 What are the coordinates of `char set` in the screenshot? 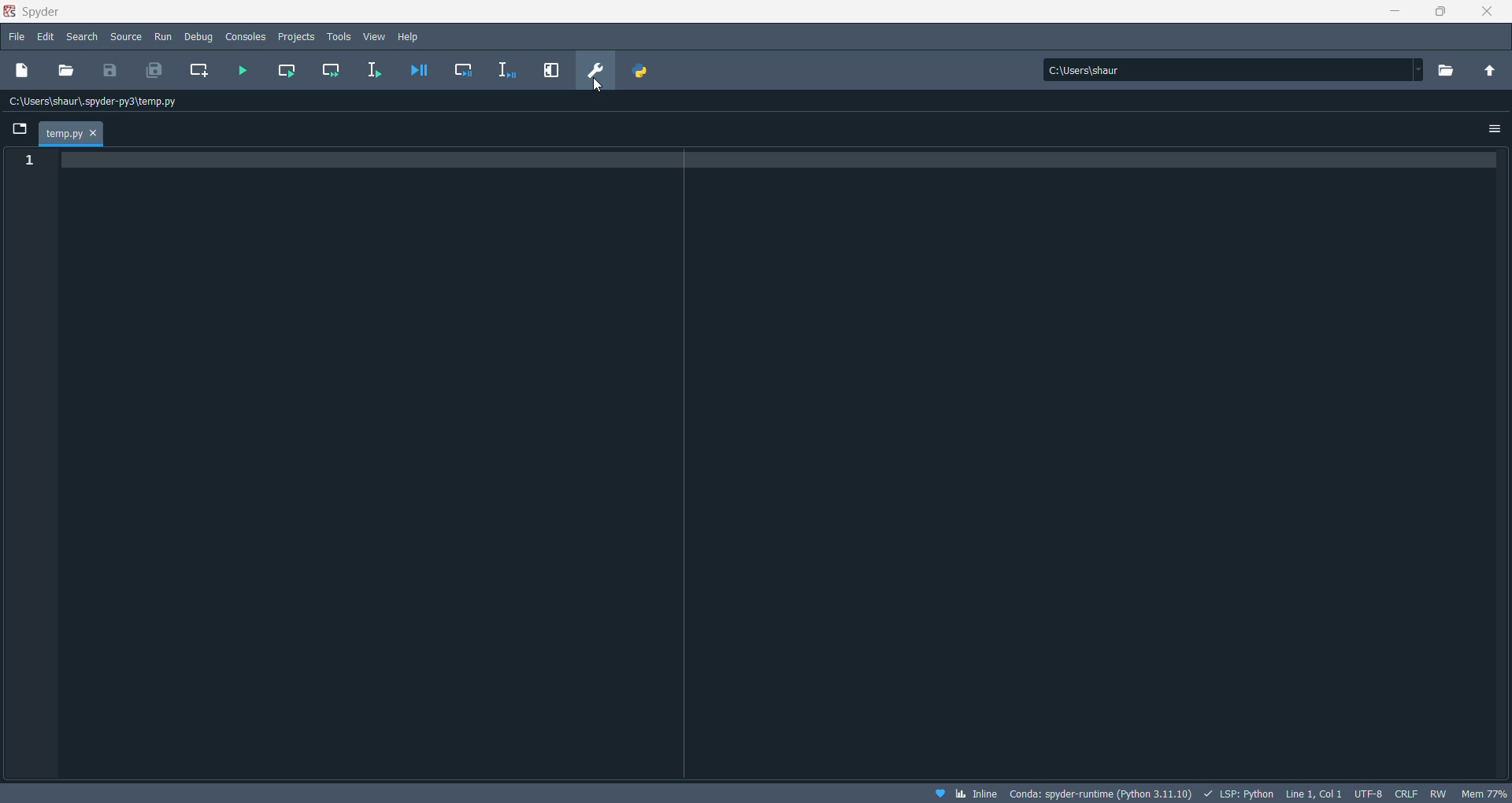 It's located at (1368, 791).